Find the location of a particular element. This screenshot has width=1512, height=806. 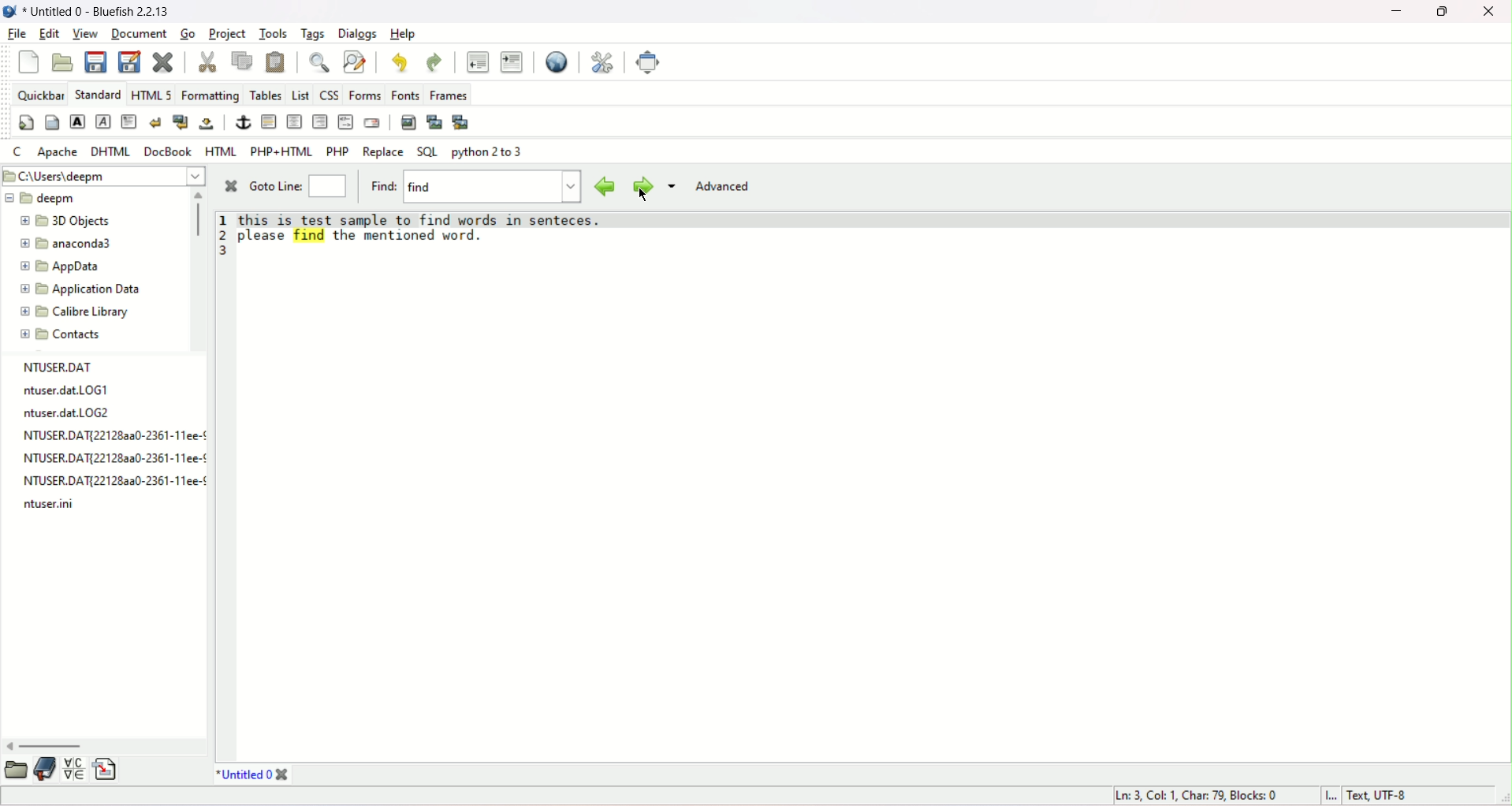

horizontal scroll bar is located at coordinates (51, 747).